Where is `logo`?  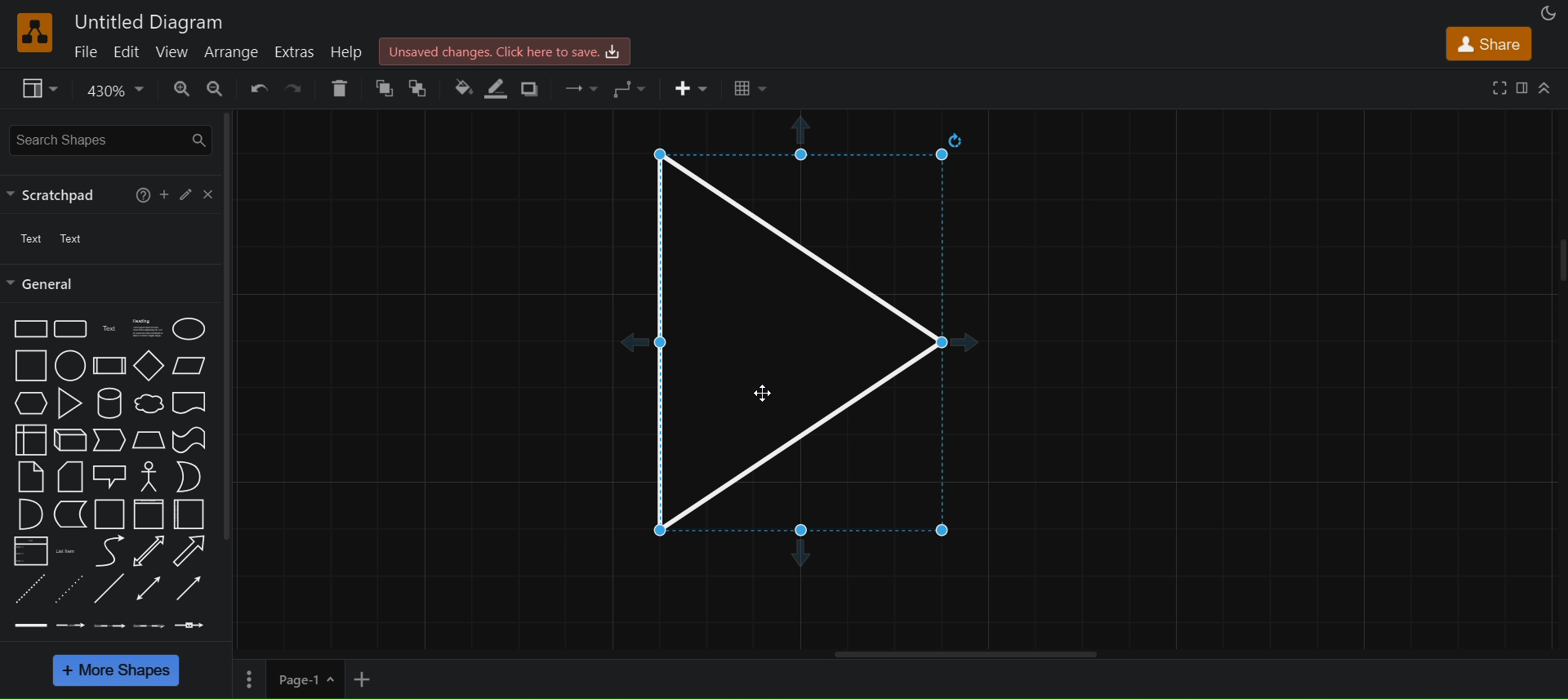 logo is located at coordinates (33, 33).